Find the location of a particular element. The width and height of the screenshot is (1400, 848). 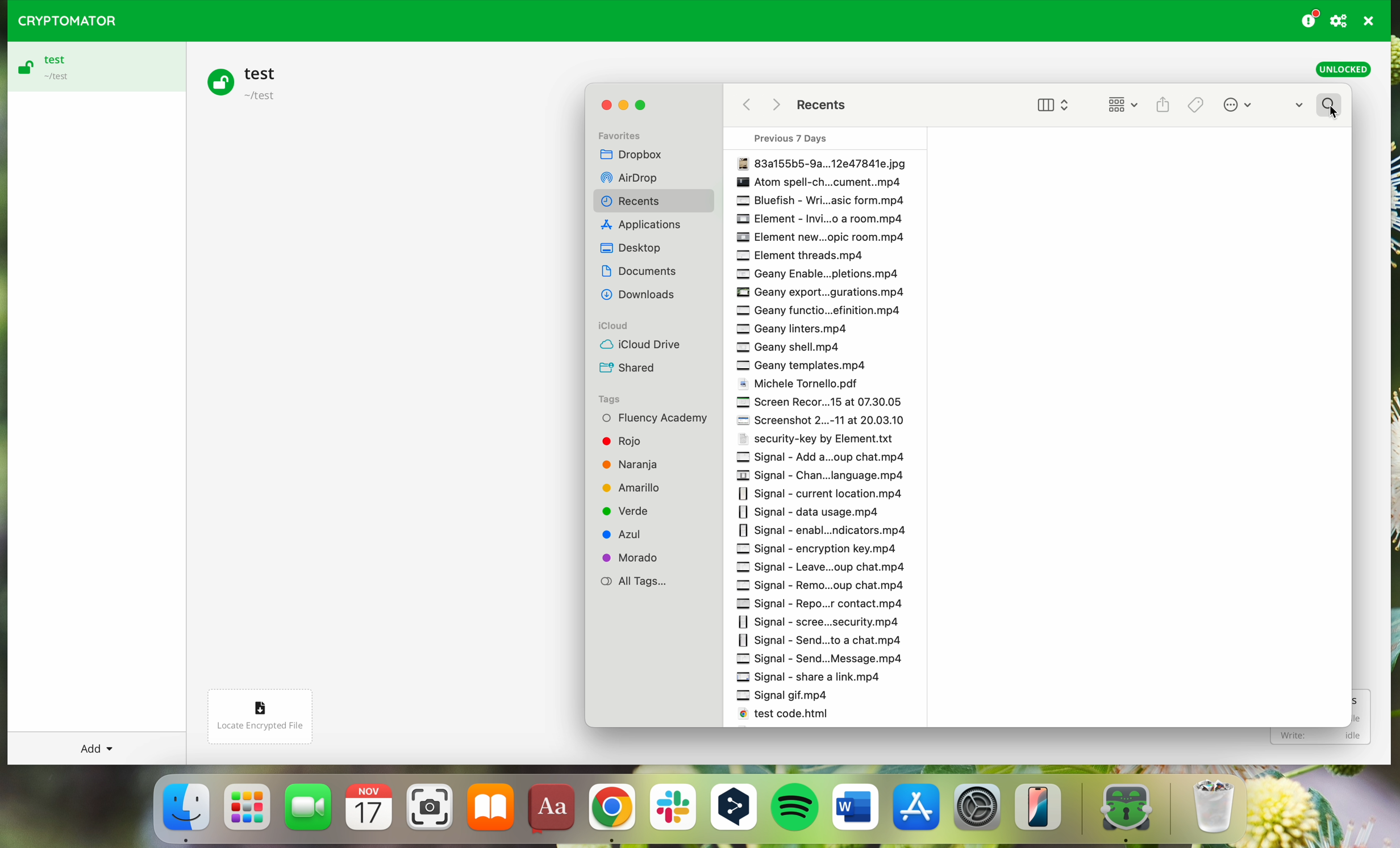

change item grouping is located at coordinates (1120, 100).